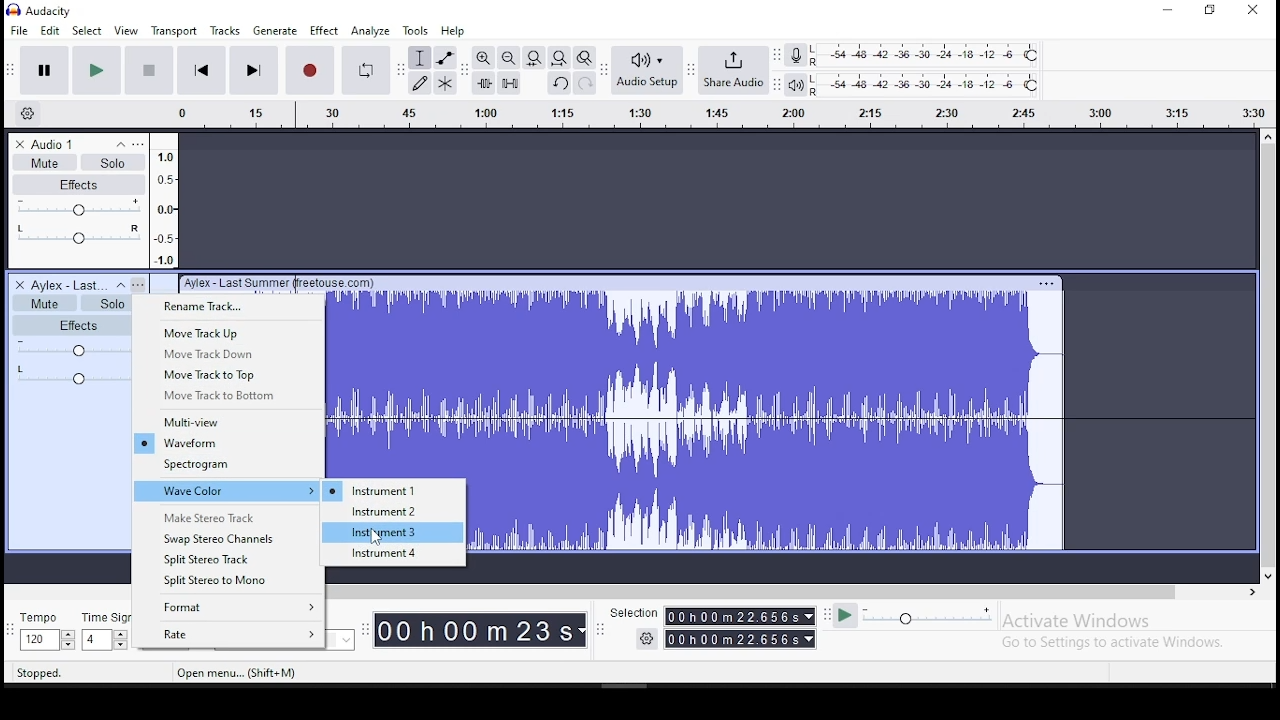  What do you see at coordinates (399, 385) in the screenshot?
I see `track` at bounding box center [399, 385].